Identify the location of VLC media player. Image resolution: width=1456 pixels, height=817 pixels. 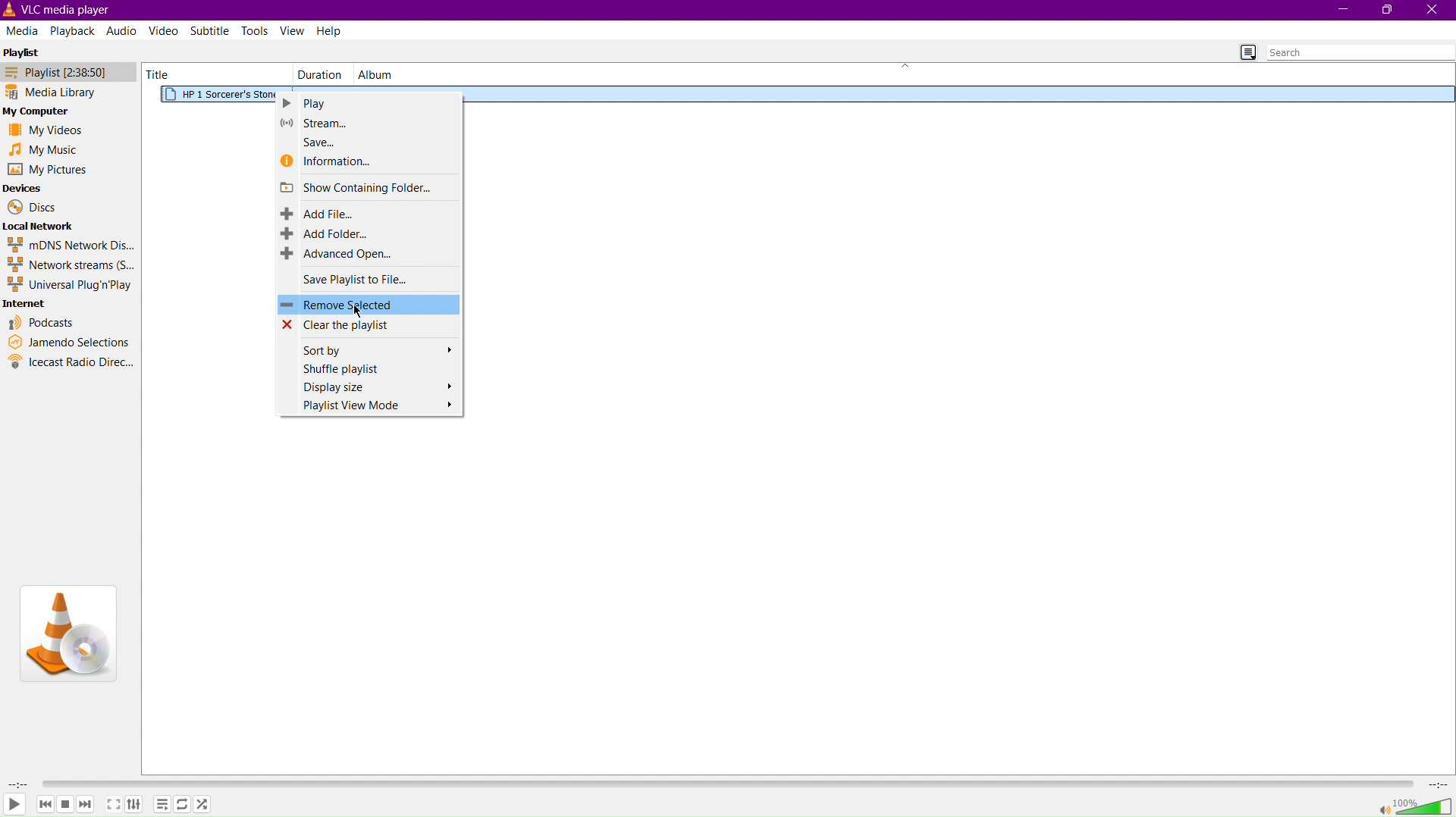
(63, 10).